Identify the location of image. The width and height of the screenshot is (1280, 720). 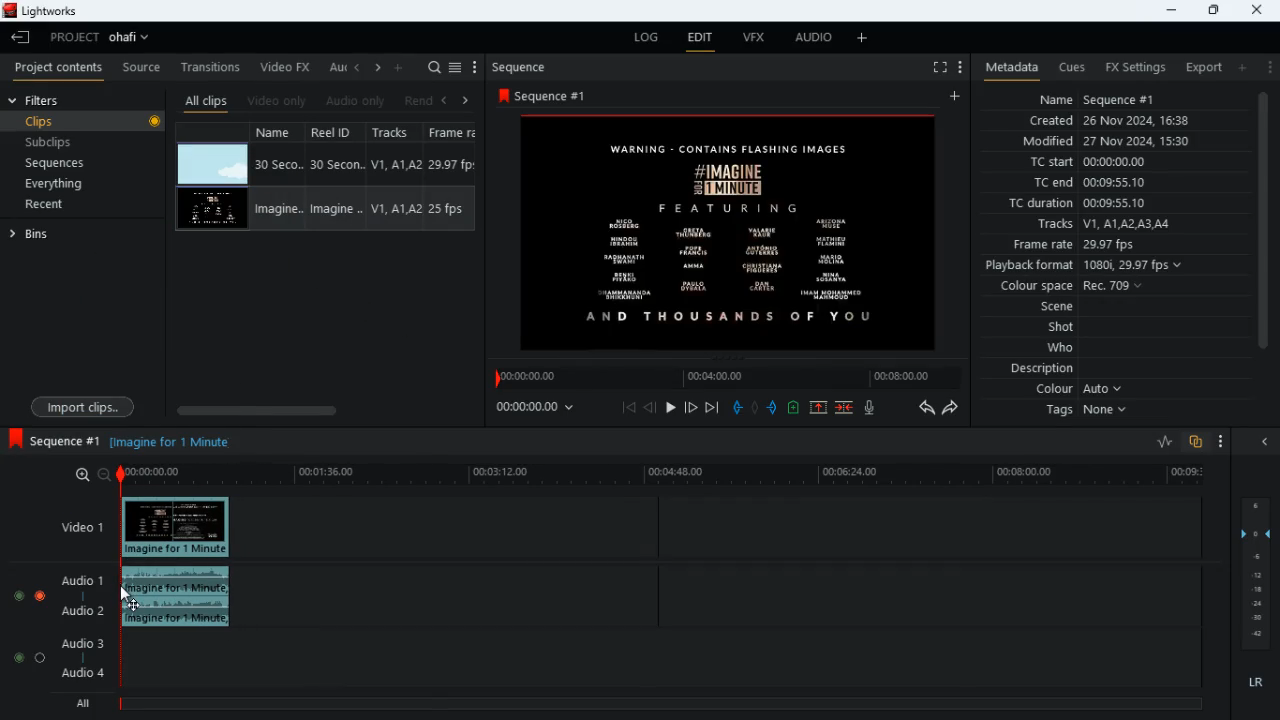
(212, 210).